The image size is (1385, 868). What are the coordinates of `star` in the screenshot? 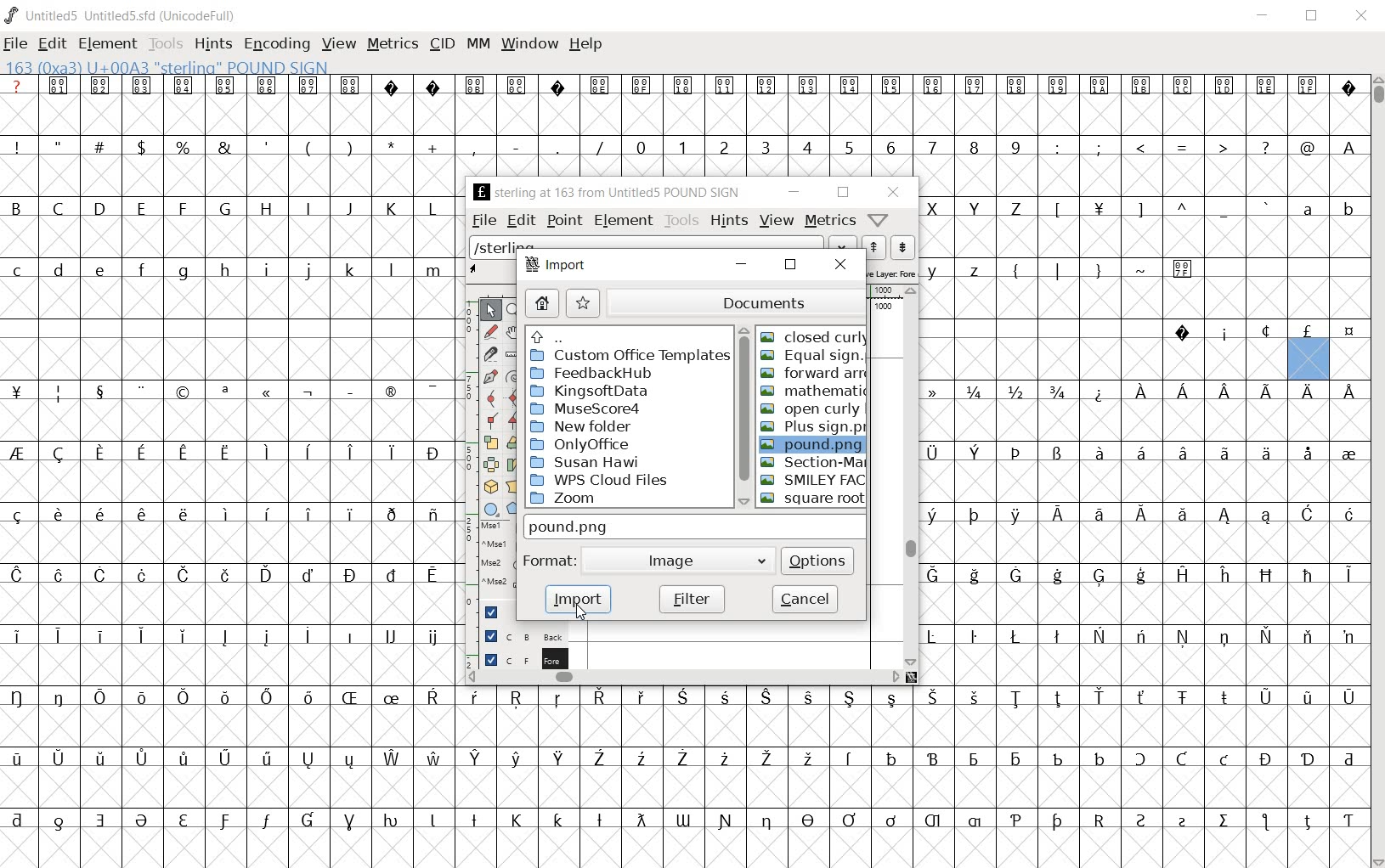 It's located at (585, 302).